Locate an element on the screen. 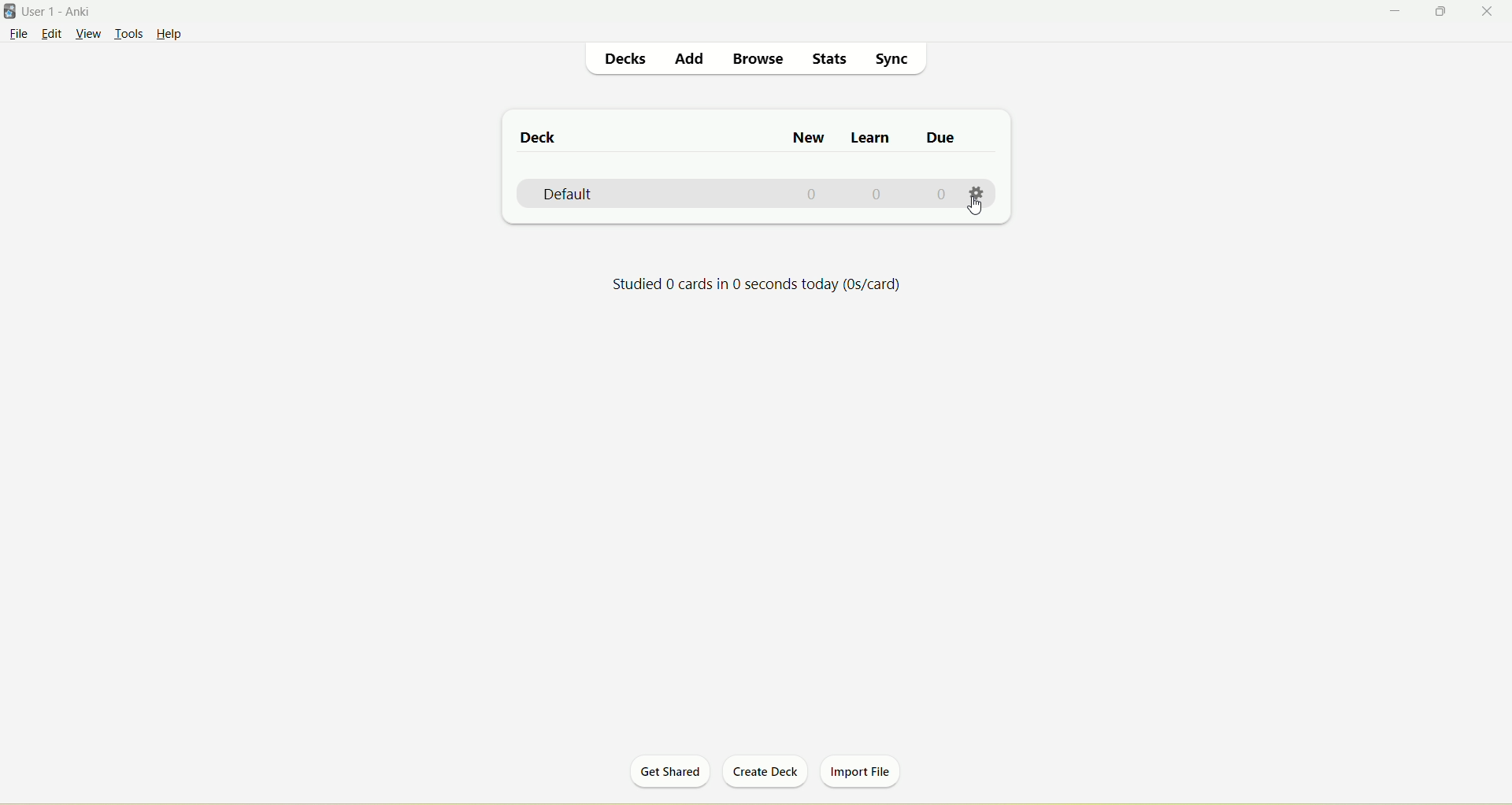 This screenshot has width=1512, height=805. Studied 0 cards in 0 seconds today is located at coordinates (758, 287).